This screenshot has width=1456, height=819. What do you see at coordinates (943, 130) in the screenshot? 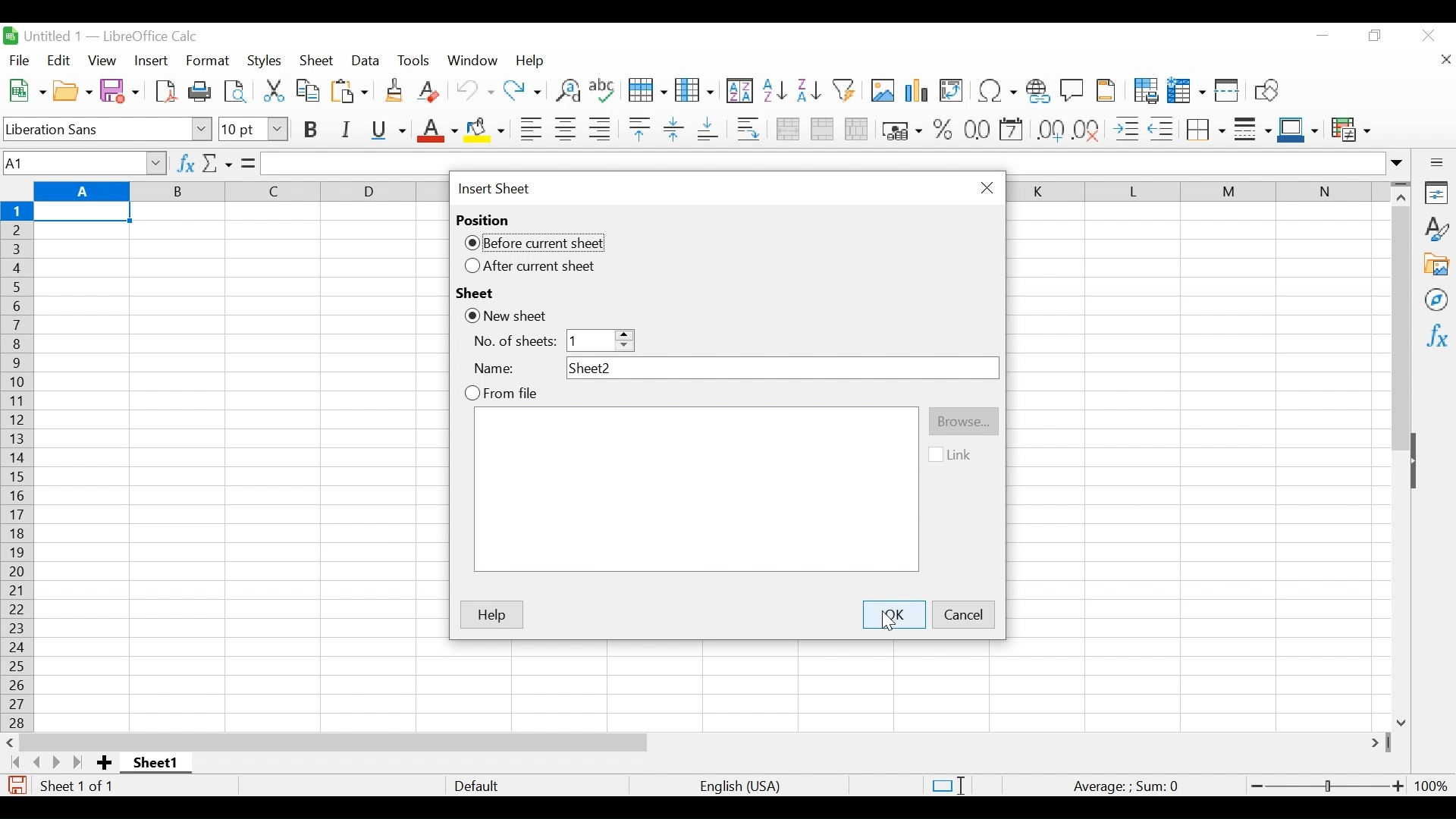
I see `Format Percent` at bounding box center [943, 130].